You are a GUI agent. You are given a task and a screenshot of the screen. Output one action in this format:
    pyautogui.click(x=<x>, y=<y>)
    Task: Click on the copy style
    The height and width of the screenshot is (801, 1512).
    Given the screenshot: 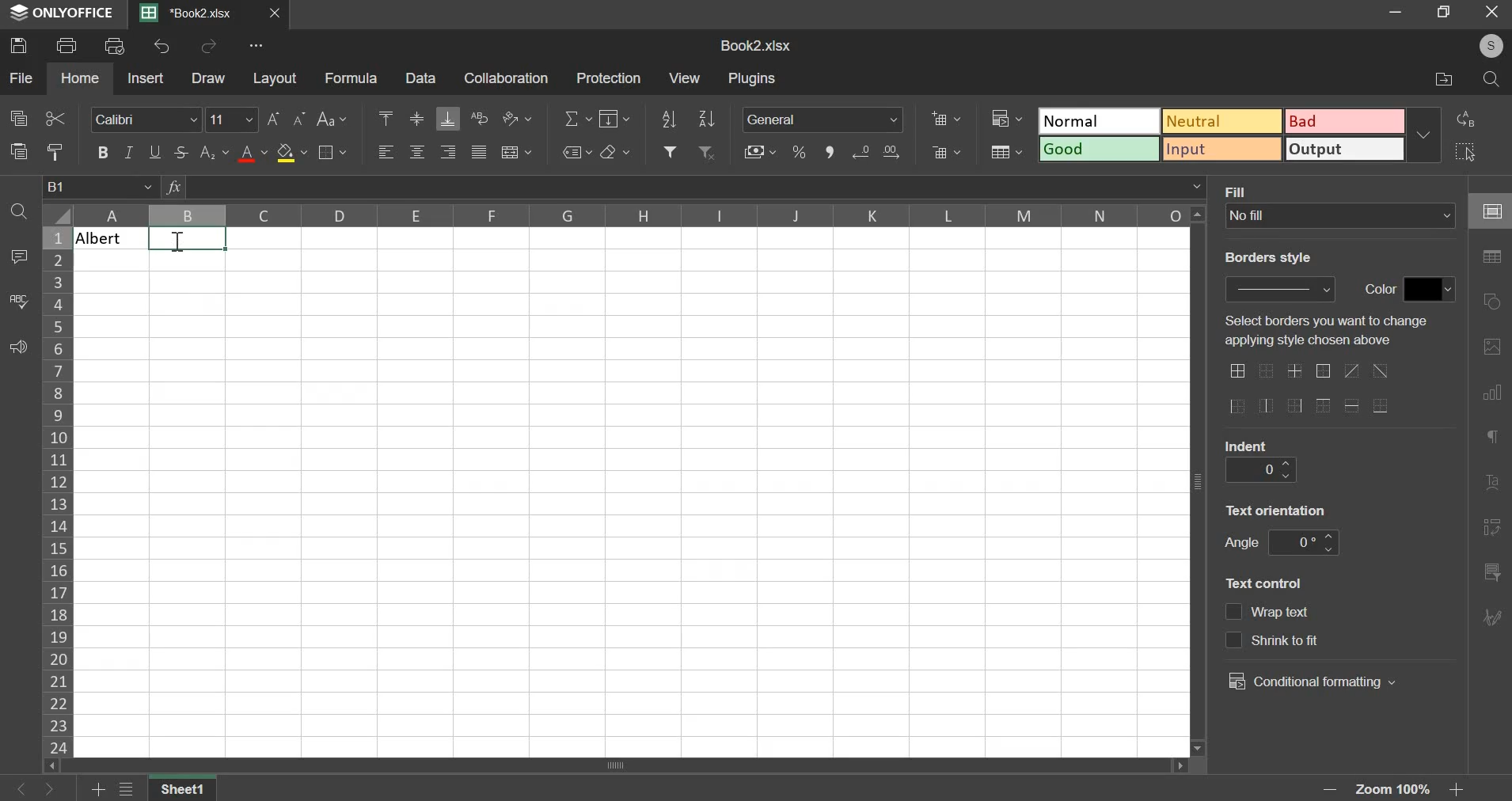 What is the action you would take?
    pyautogui.click(x=54, y=151)
    